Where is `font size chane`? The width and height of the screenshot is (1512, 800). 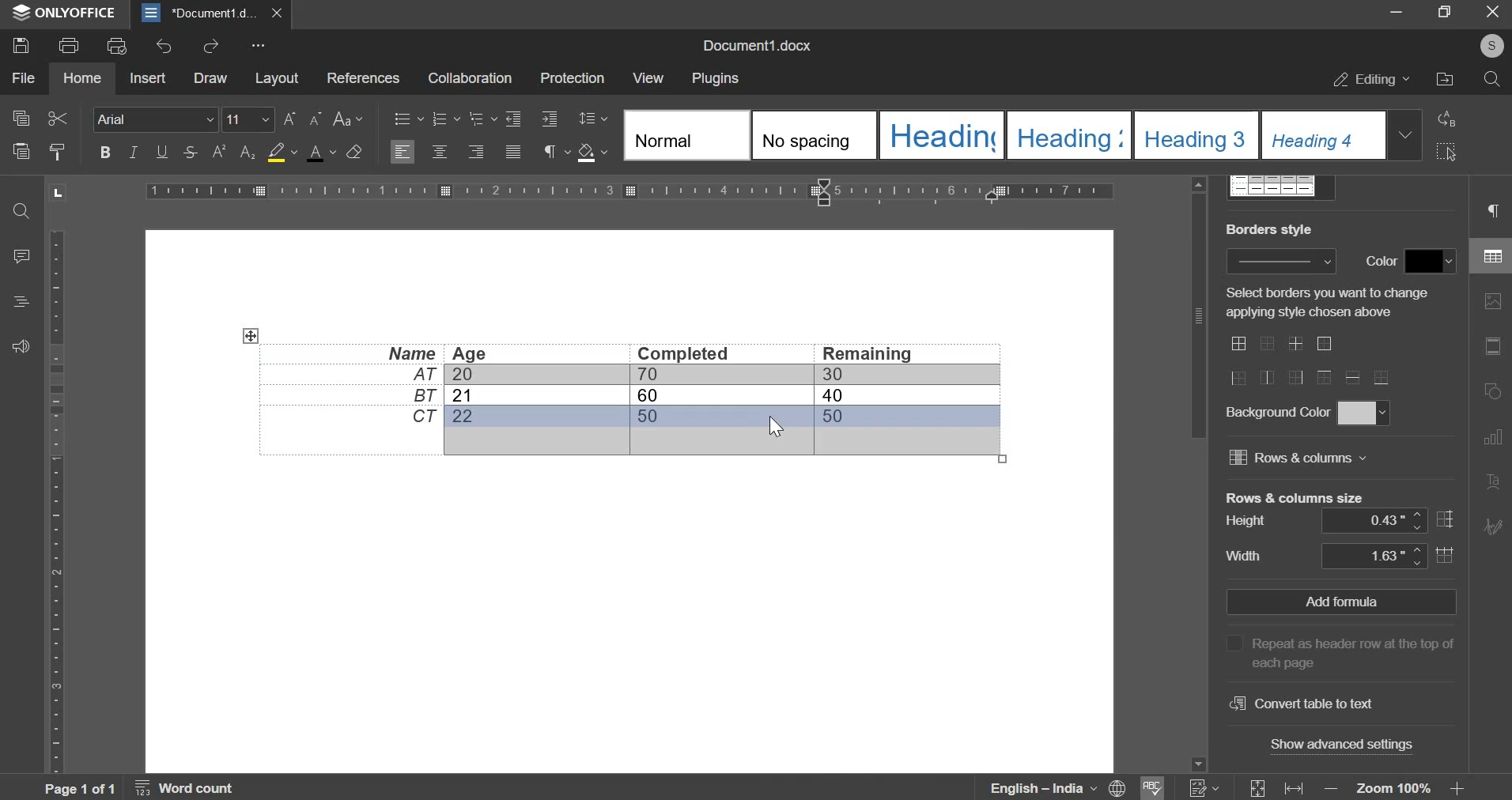
font size chane is located at coordinates (301, 116).